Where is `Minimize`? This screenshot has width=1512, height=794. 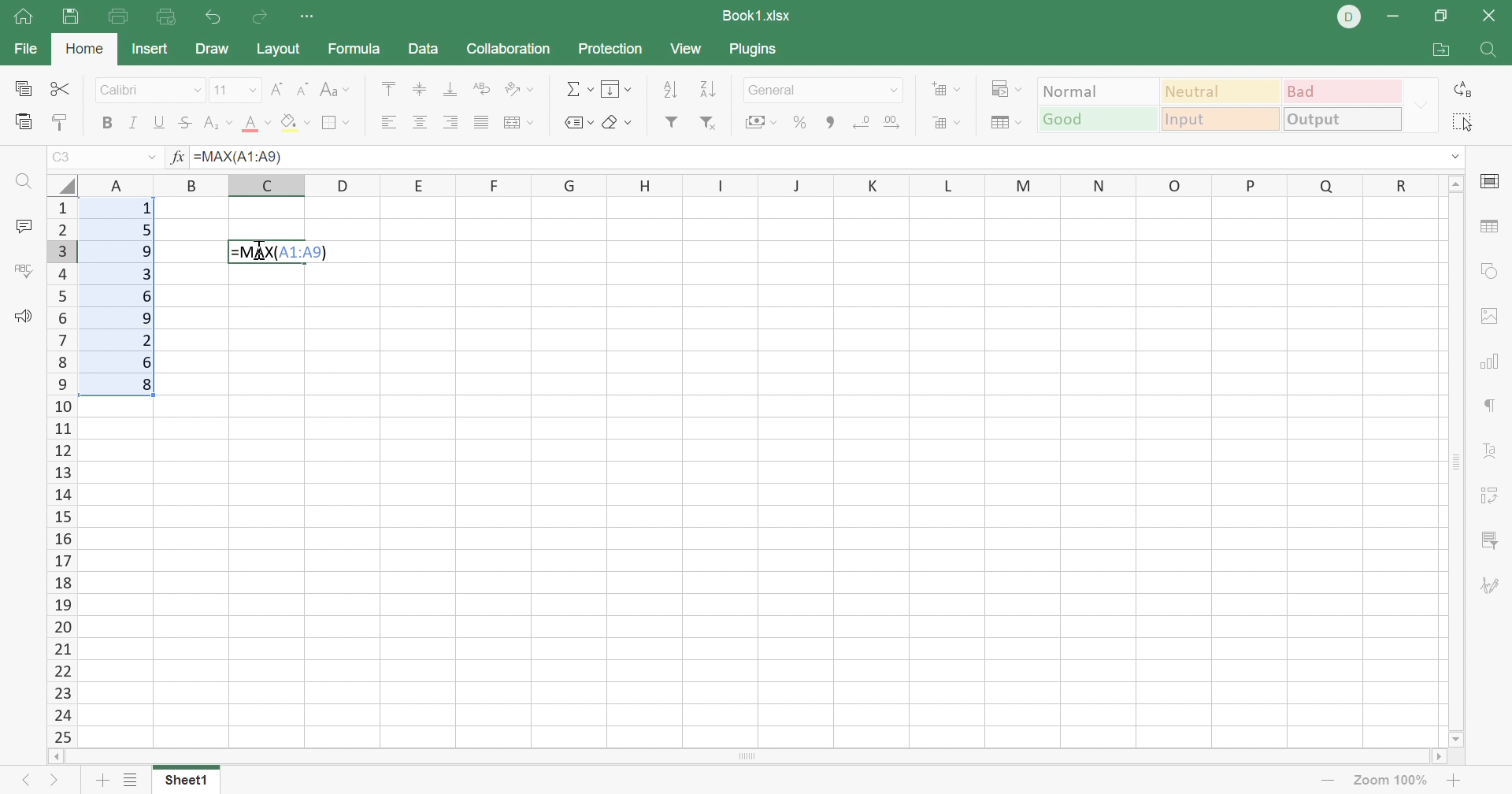 Minimize is located at coordinates (1401, 14).